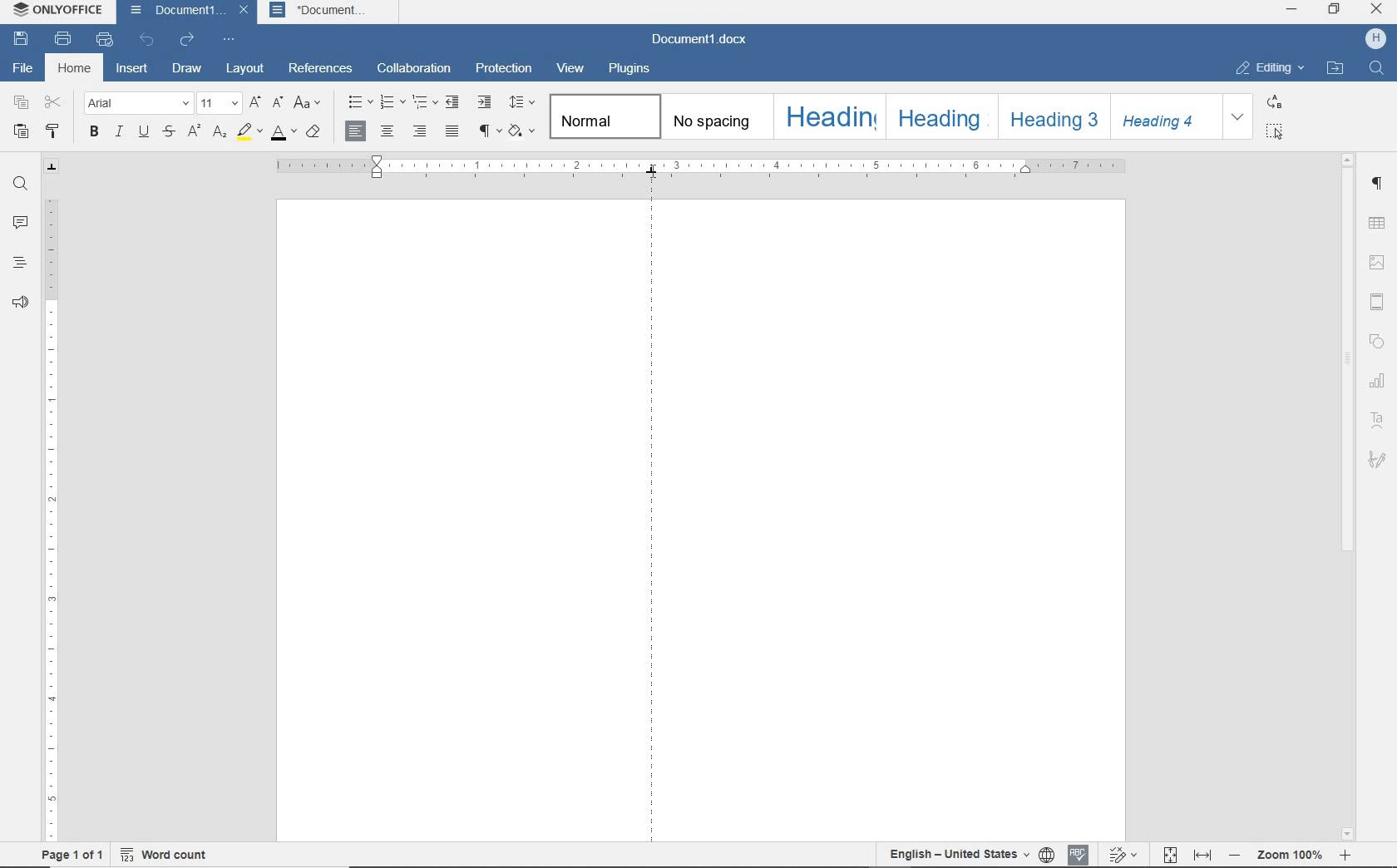  I want to click on HEADING 1, so click(827, 116).